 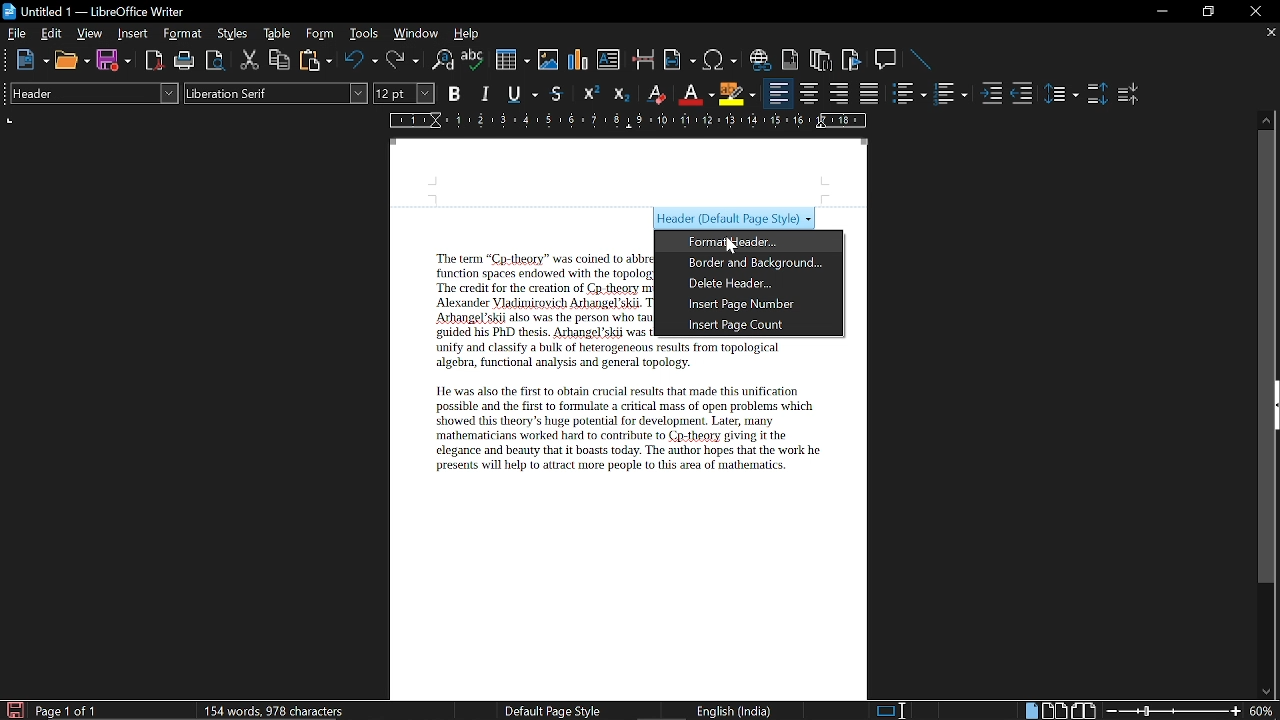 I want to click on Decrease indent, so click(x=1022, y=93).